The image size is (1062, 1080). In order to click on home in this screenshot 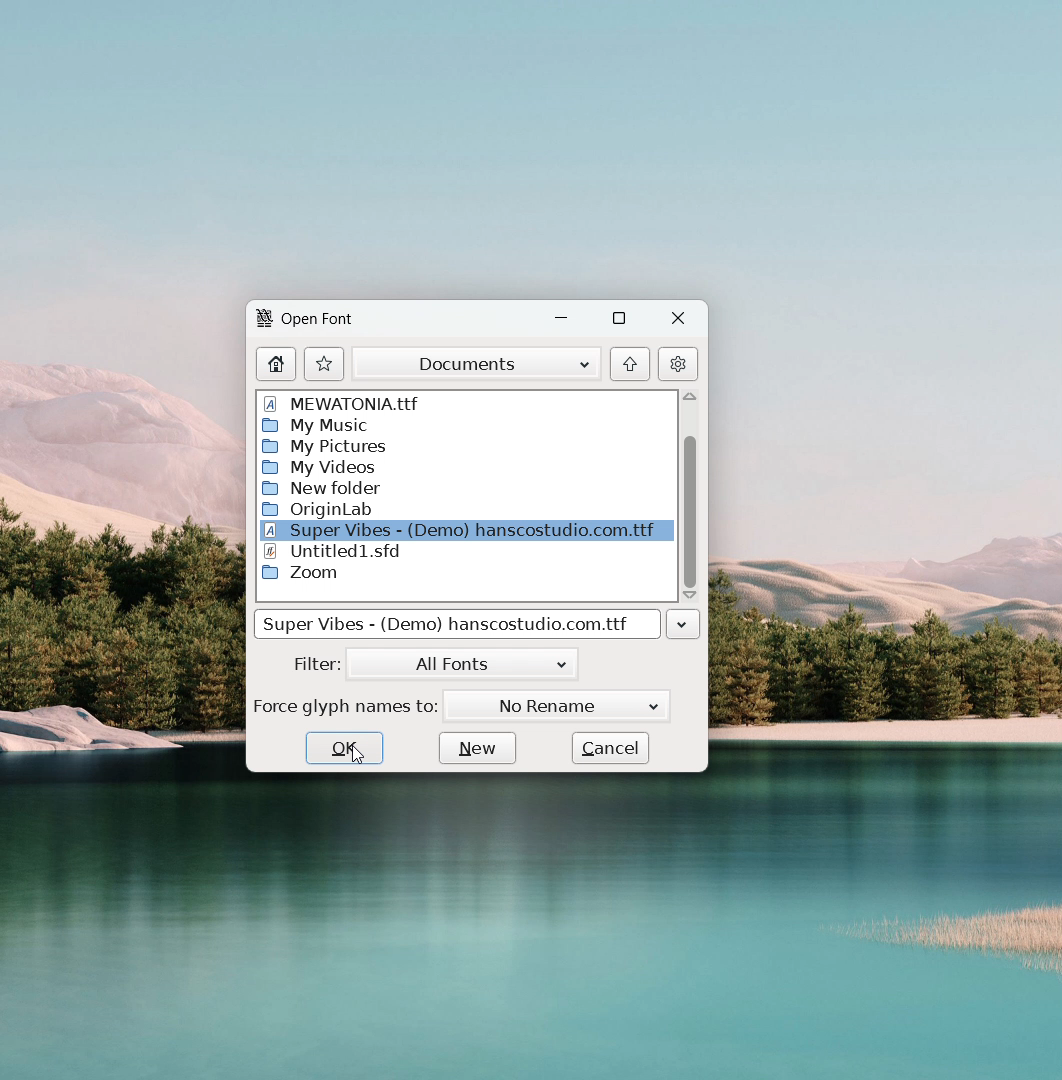, I will do `click(276, 365)`.